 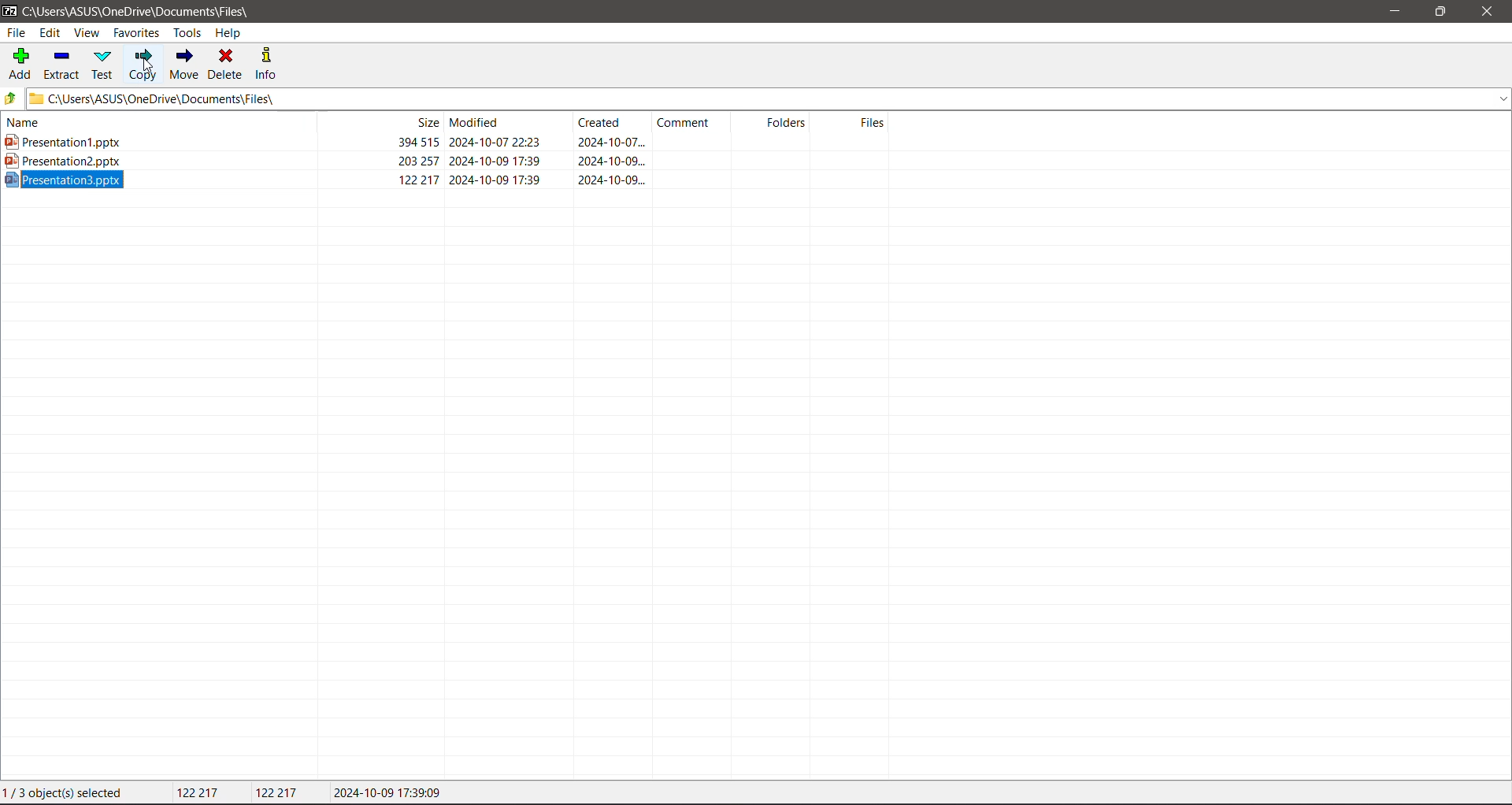 What do you see at coordinates (186, 33) in the screenshot?
I see `Tools` at bounding box center [186, 33].